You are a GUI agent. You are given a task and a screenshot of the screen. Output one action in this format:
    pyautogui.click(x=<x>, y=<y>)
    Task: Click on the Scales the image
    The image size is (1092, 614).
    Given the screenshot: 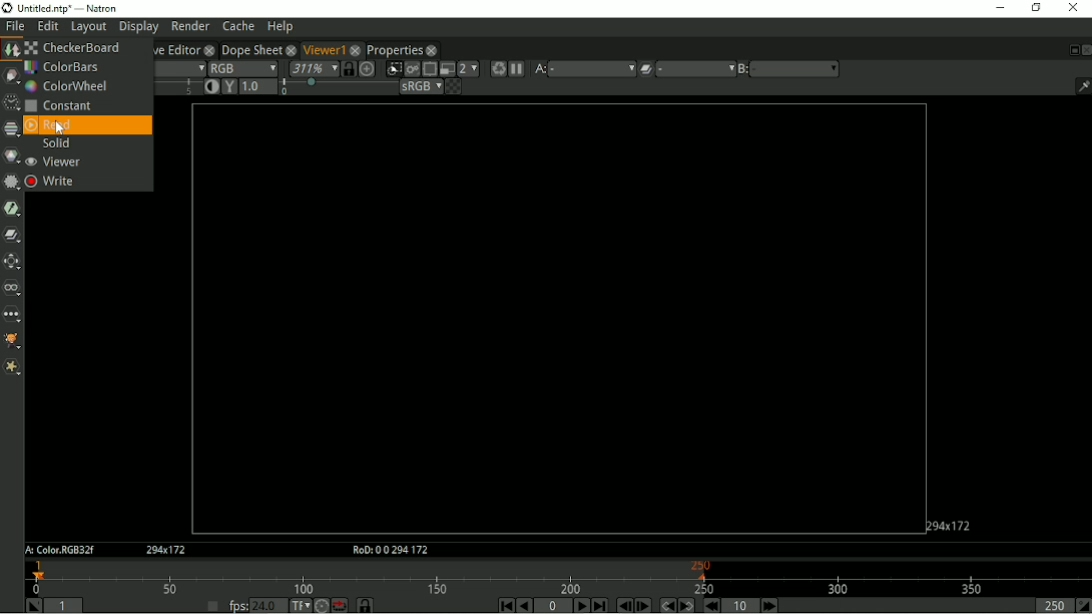 What is the action you would take?
    pyautogui.click(x=367, y=68)
    